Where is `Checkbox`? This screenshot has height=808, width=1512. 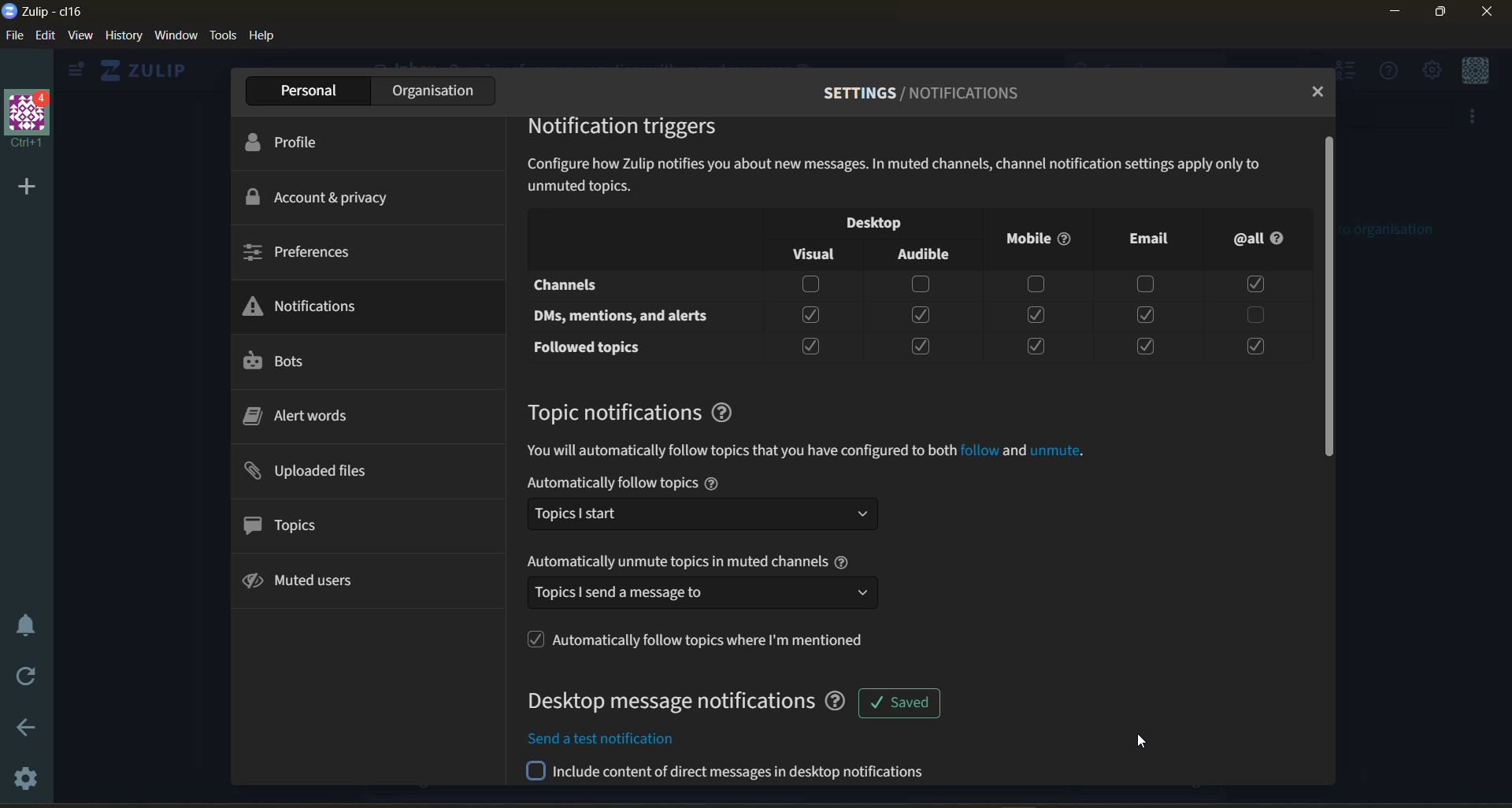 Checkbox is located at coordinates (1037, 284).